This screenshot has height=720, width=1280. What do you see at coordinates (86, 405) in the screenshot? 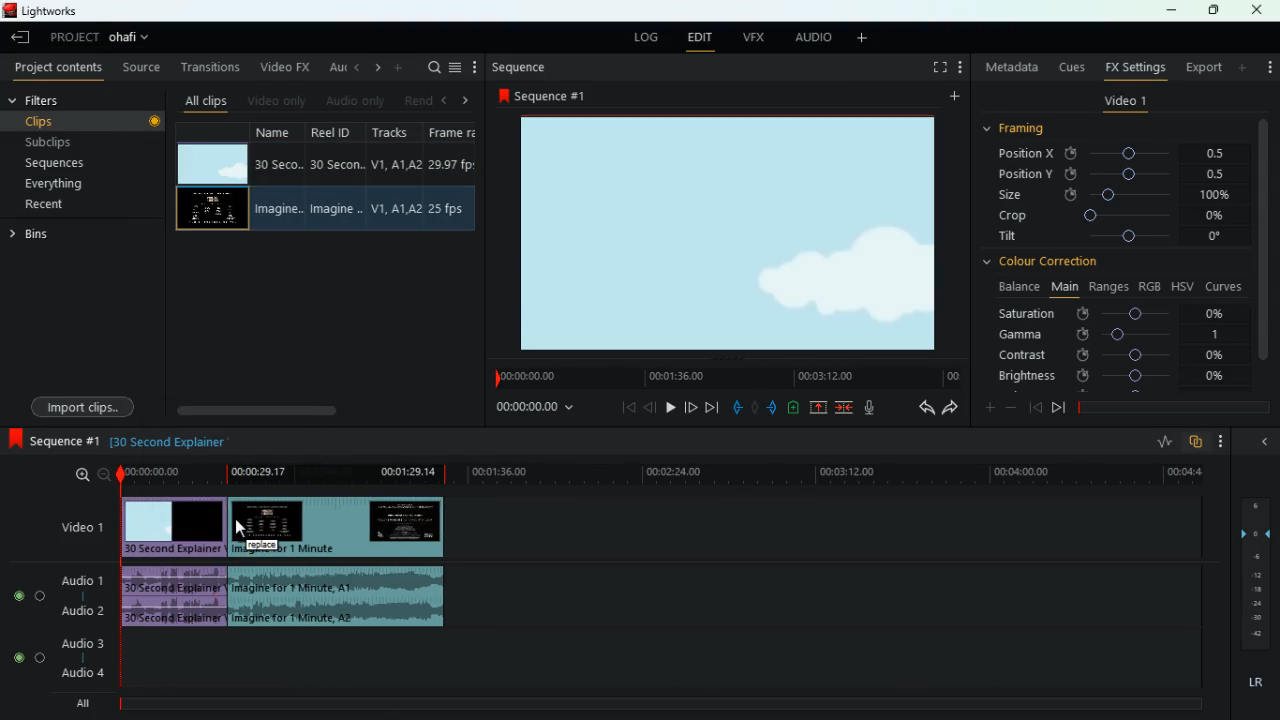
I see `import clips` at bounding box center [86, 405].